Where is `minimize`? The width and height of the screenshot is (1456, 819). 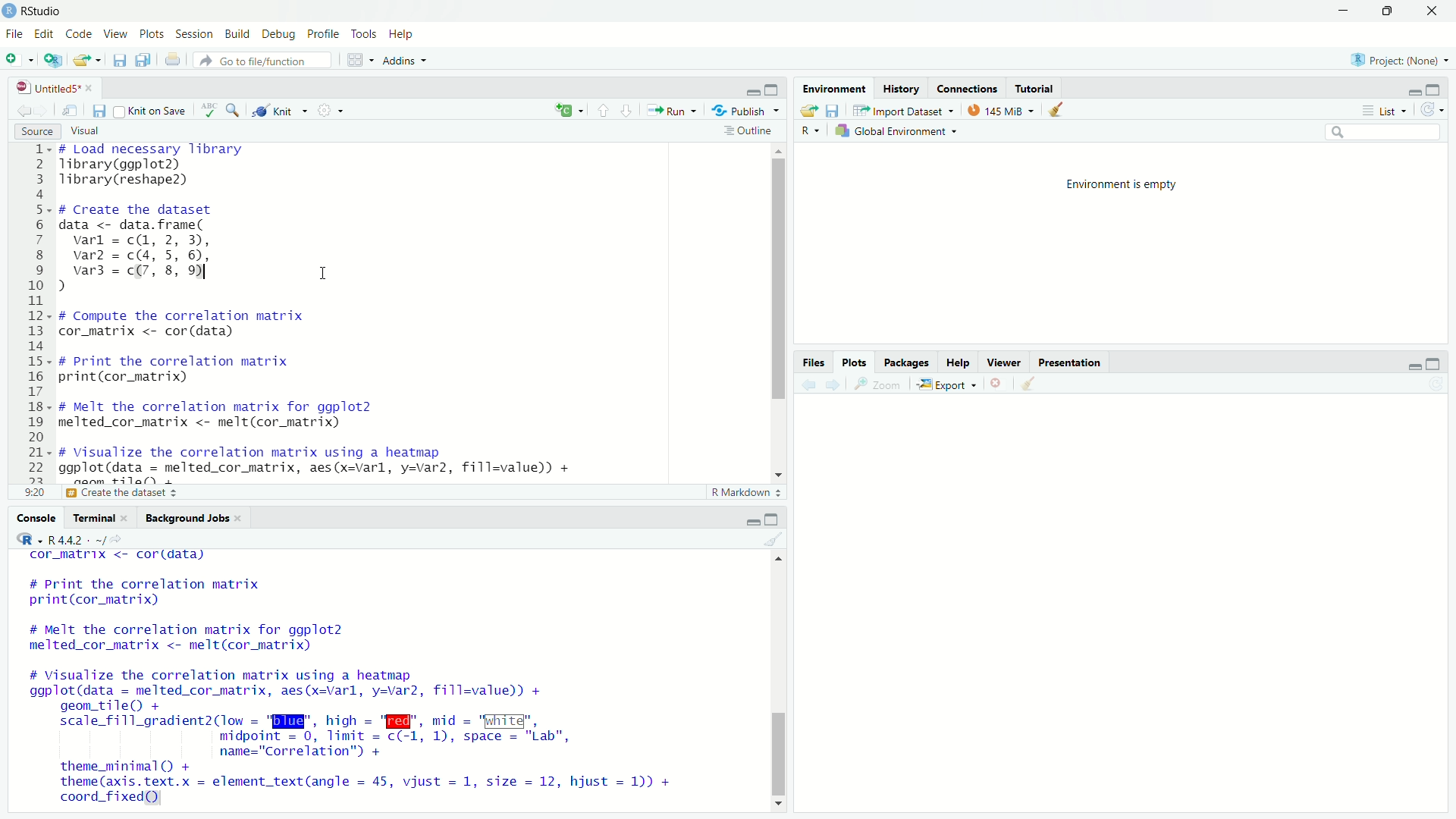
minimize is located at coordinates (1343, 11).